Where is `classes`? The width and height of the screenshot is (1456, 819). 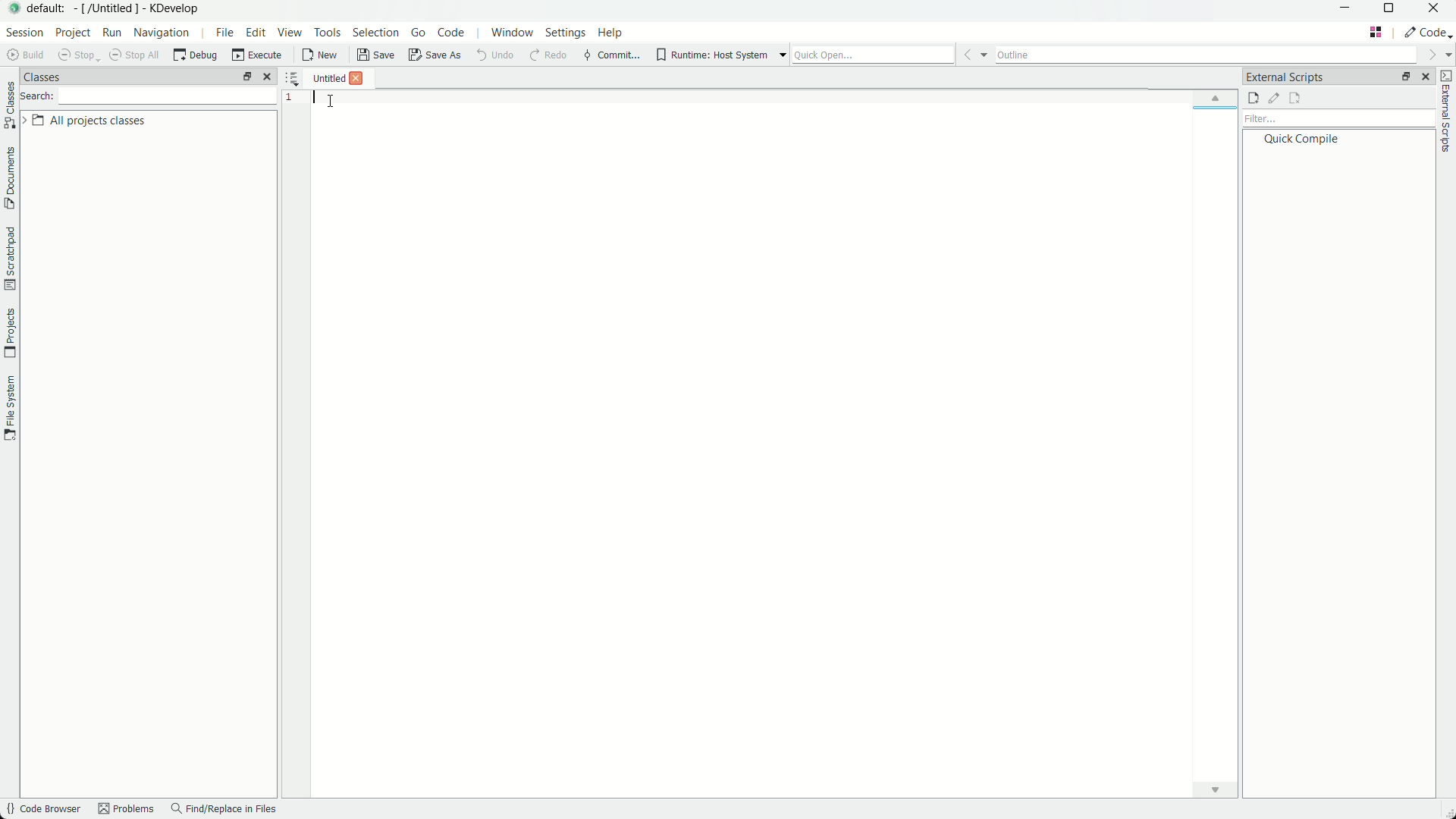 classes is located at coordinates (49, 77).